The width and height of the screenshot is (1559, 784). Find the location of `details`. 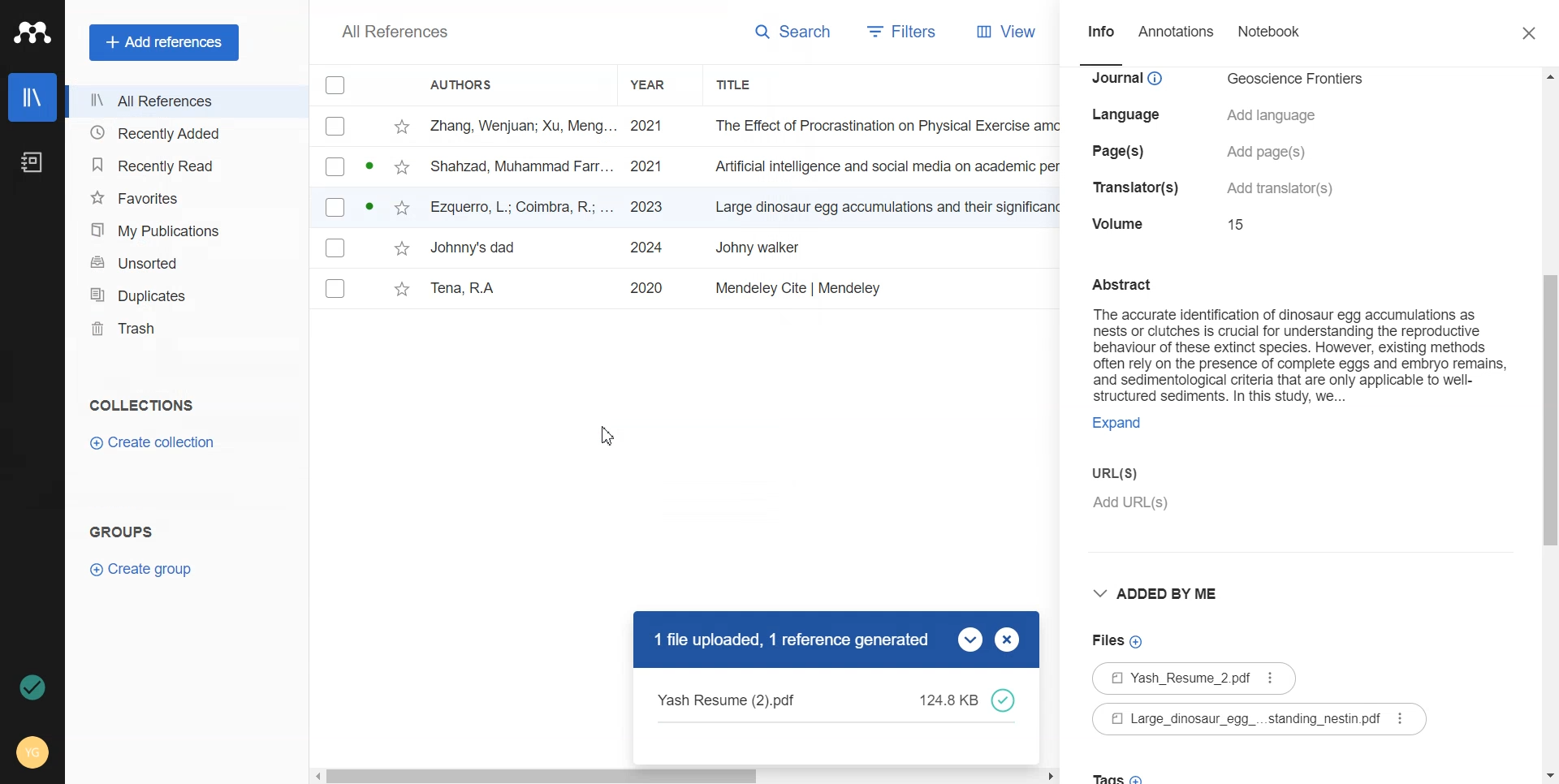

details is located at coordinates (1299, 80).